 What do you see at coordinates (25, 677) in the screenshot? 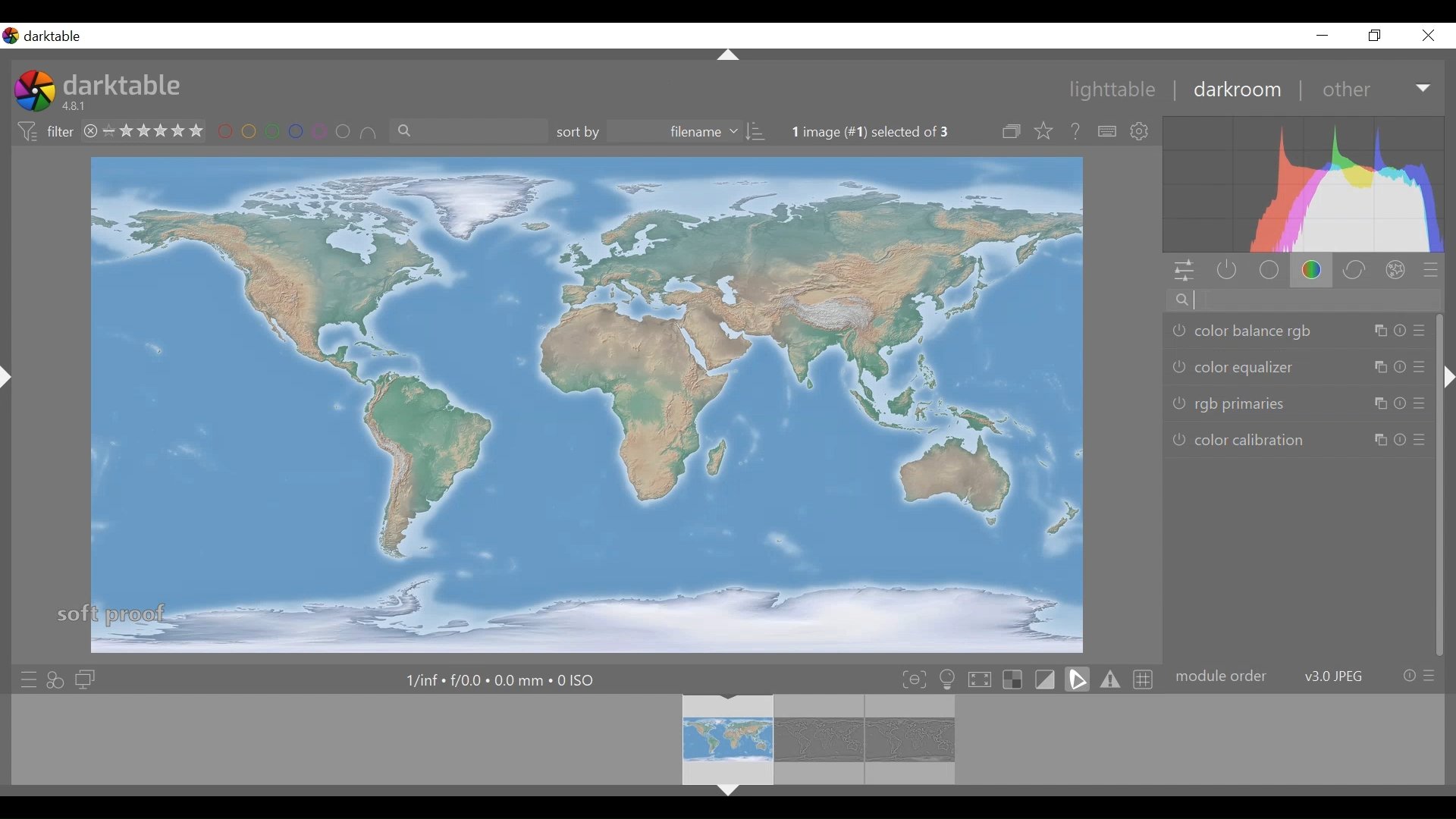
I see `quick access presets` at bounding box center [25, 677].